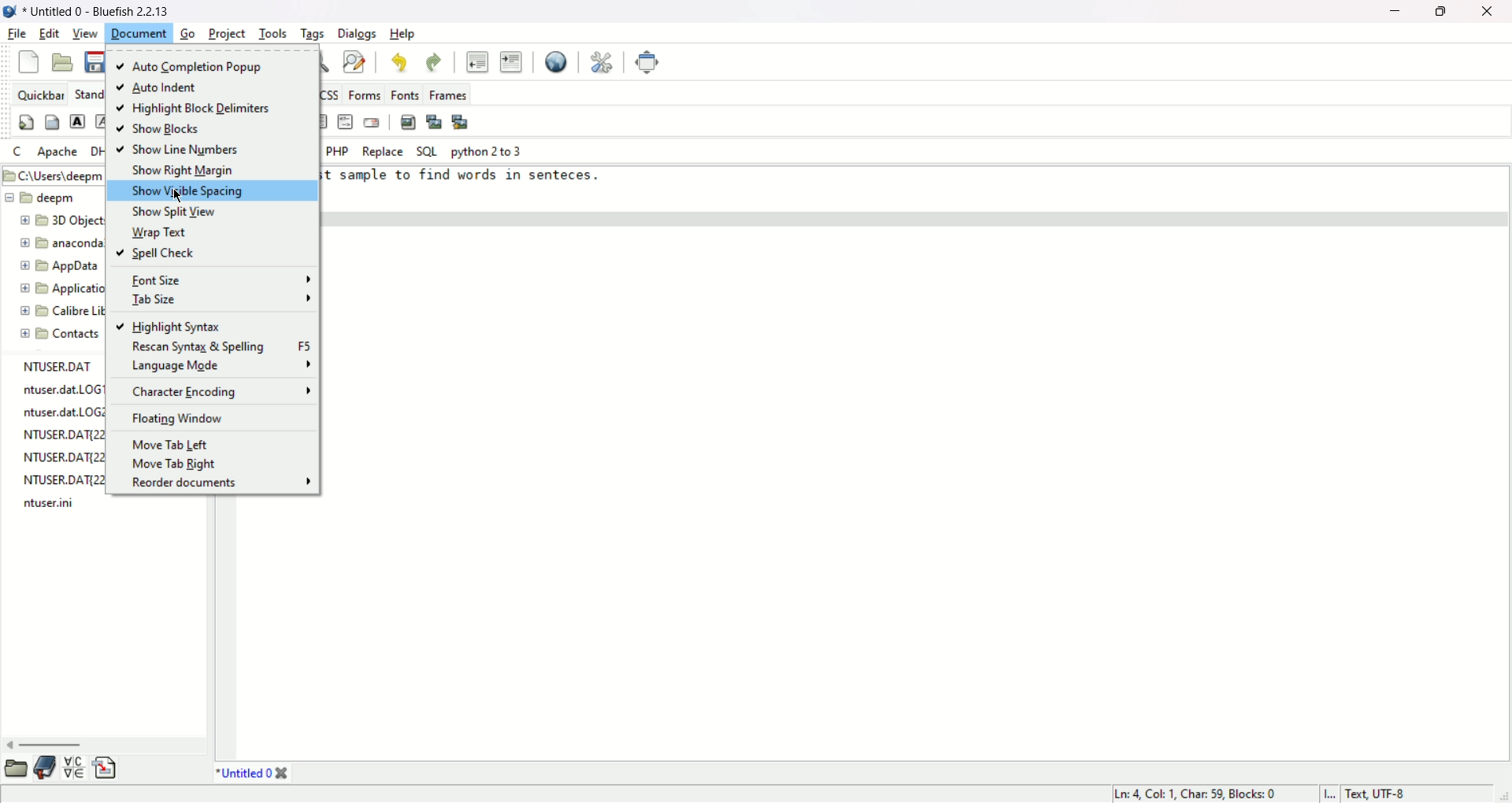  Describe the element at coordinates (354, 65) in the screenshot. I see `find and replace` at that location.